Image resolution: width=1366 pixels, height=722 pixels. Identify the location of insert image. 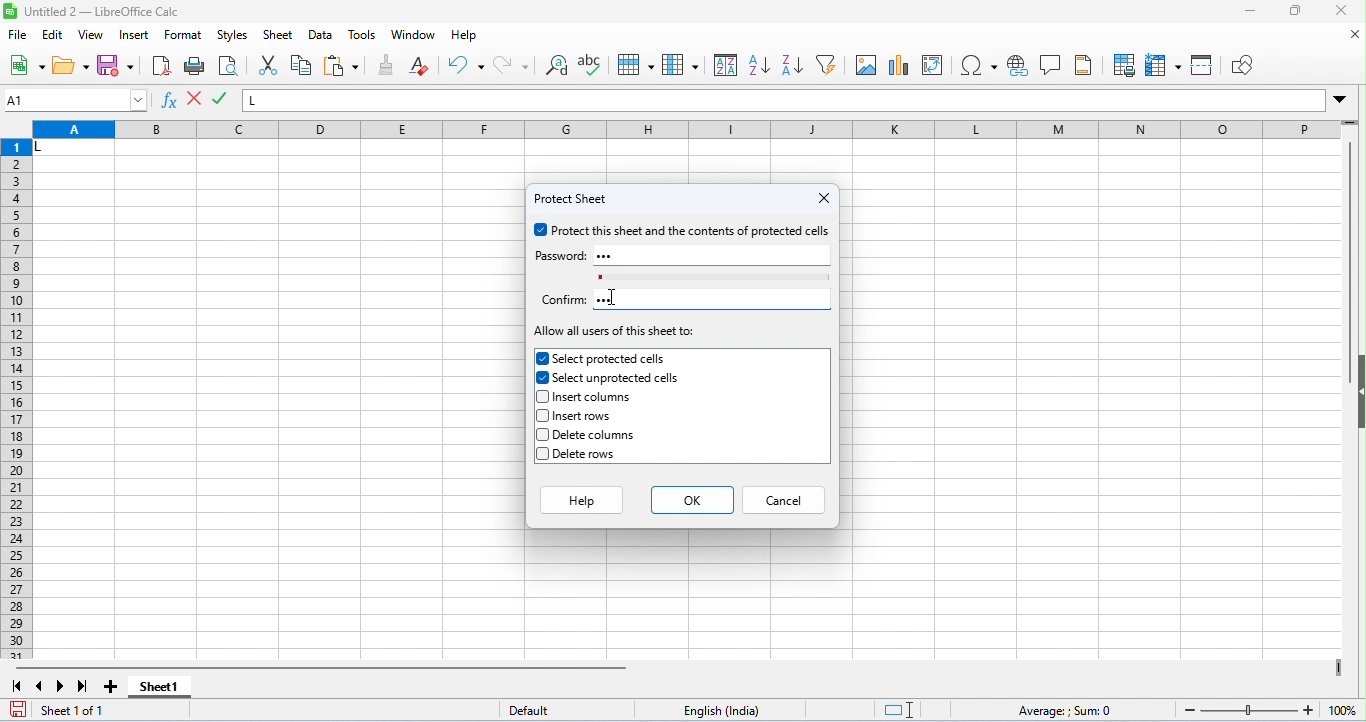
(866, 65).